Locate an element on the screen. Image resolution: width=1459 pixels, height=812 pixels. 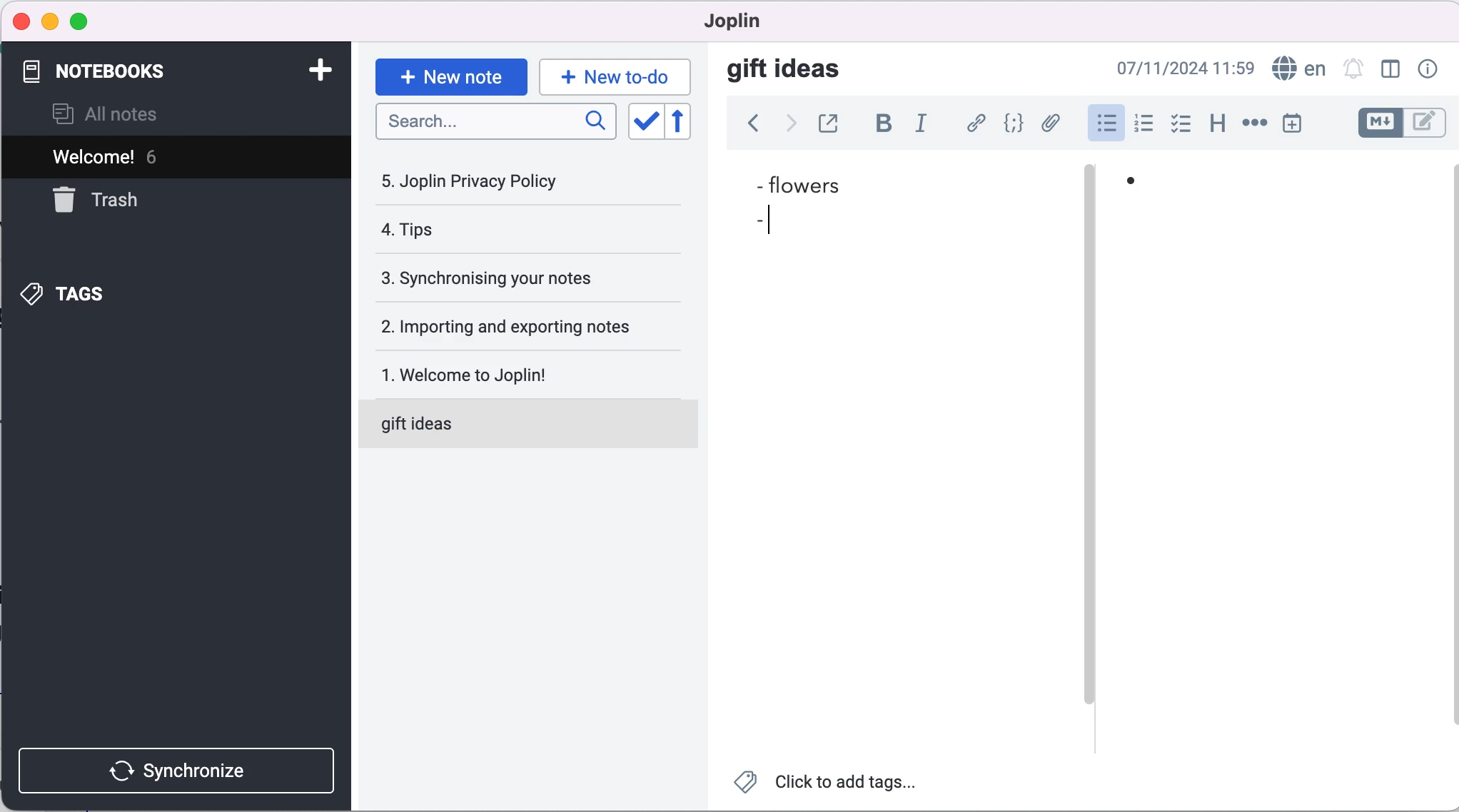
forward is located at coordinates (787, 126).